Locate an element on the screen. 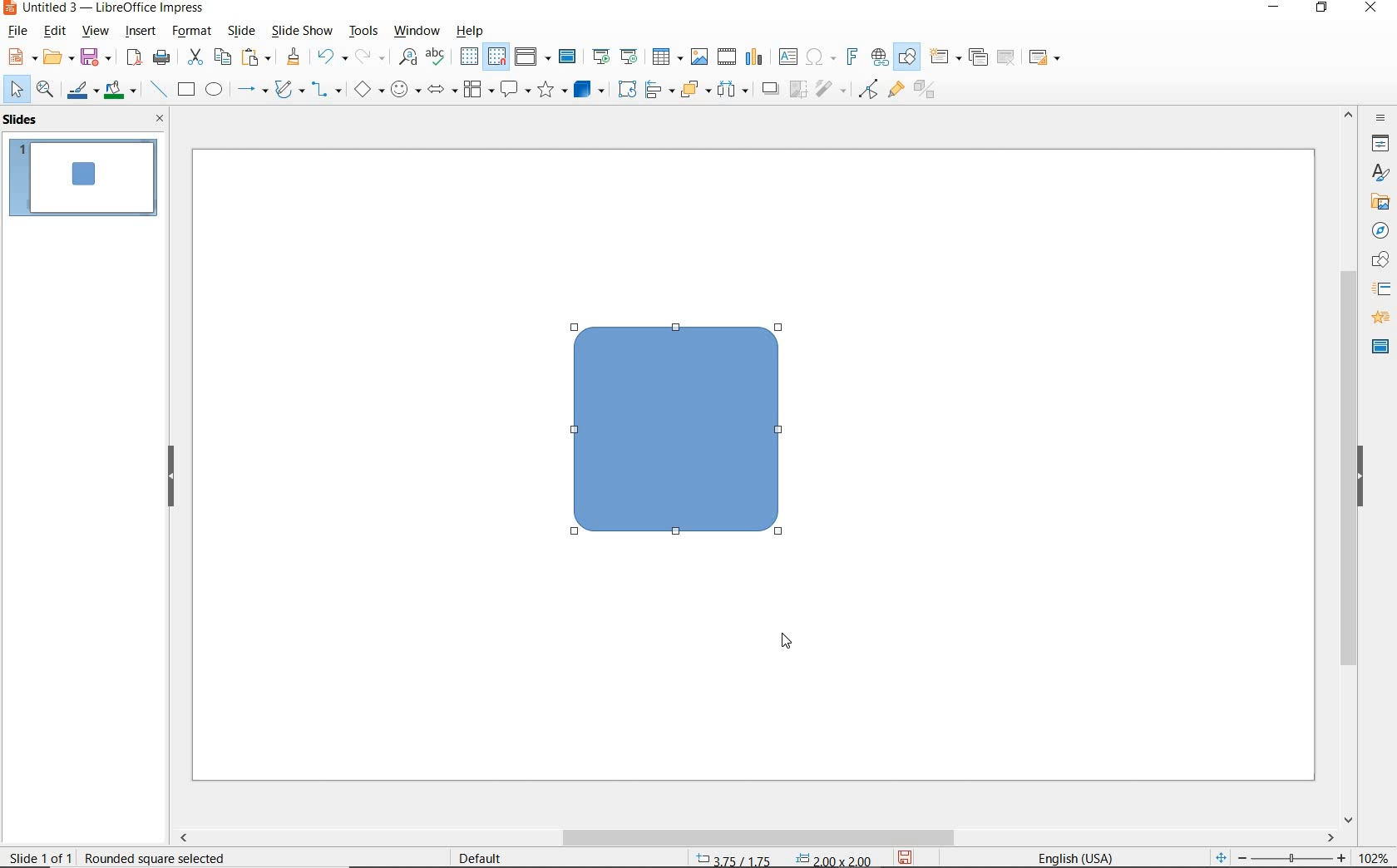 This screenshot has height=868, width=1397. styles is located at coordinates (1380, 174).